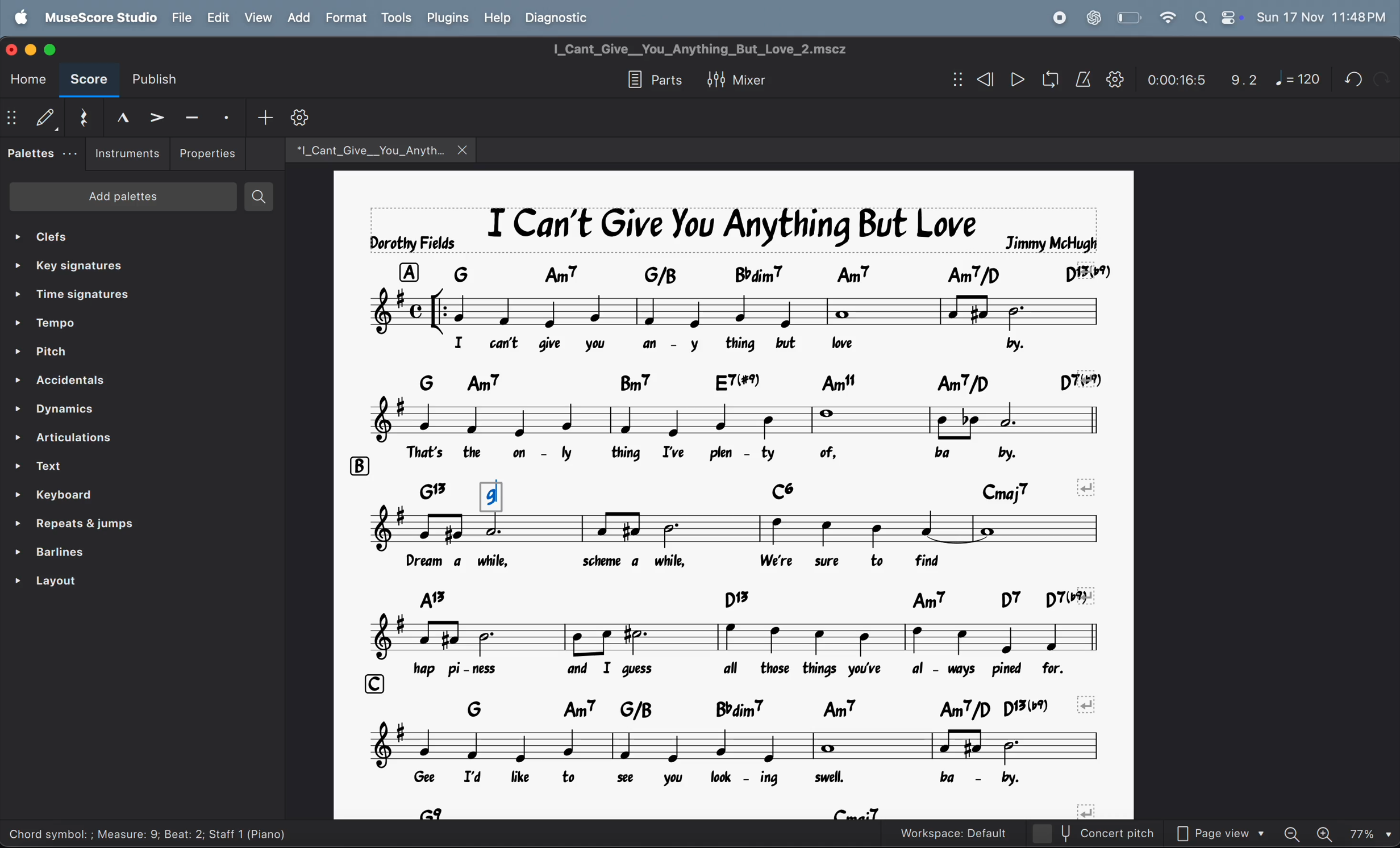  Describe the element at coordinates (116, 495) in the screenshot. I see `keyboard` at that location.